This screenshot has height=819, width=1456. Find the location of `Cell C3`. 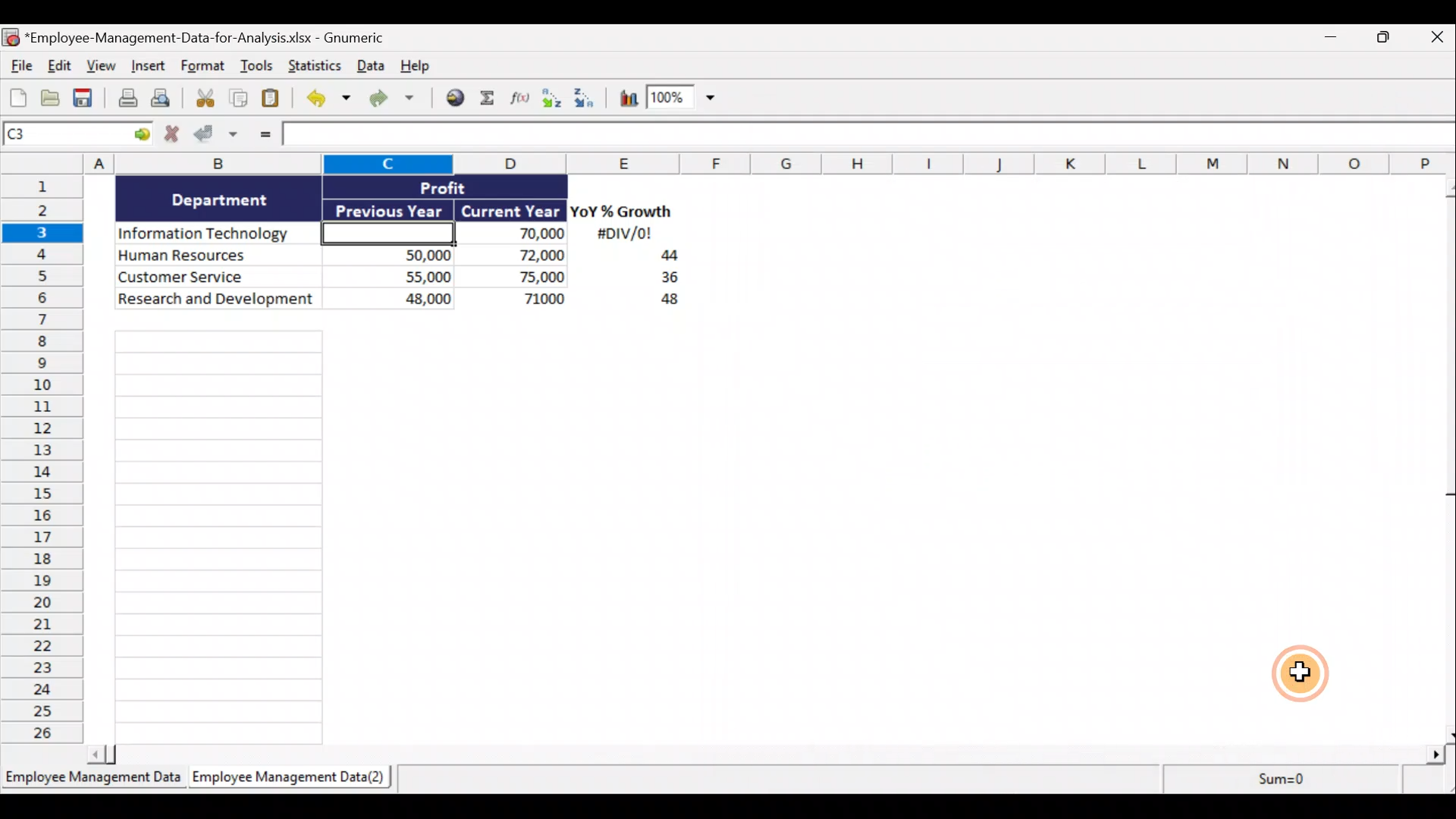

Cell C3 is located at coordinates (384, 231).